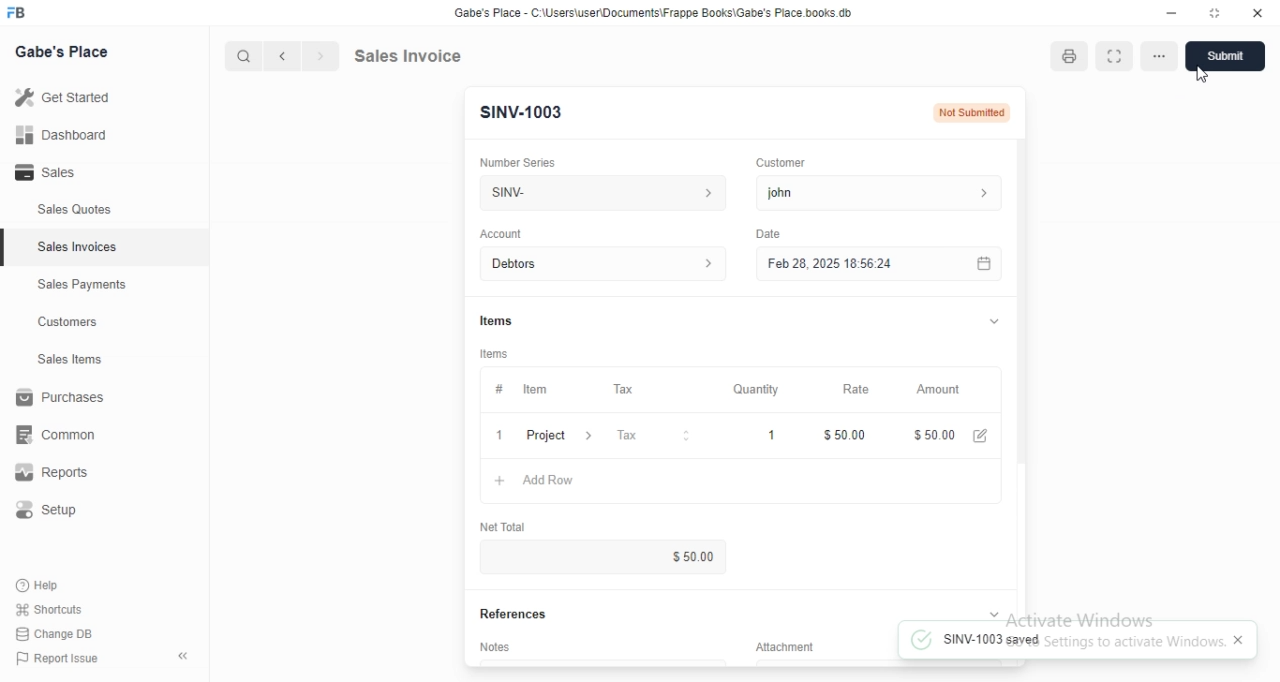 Image resolution: width=1280 pixels, height=682 pixels. I want to click on SINV-1003, so click(528, 112).